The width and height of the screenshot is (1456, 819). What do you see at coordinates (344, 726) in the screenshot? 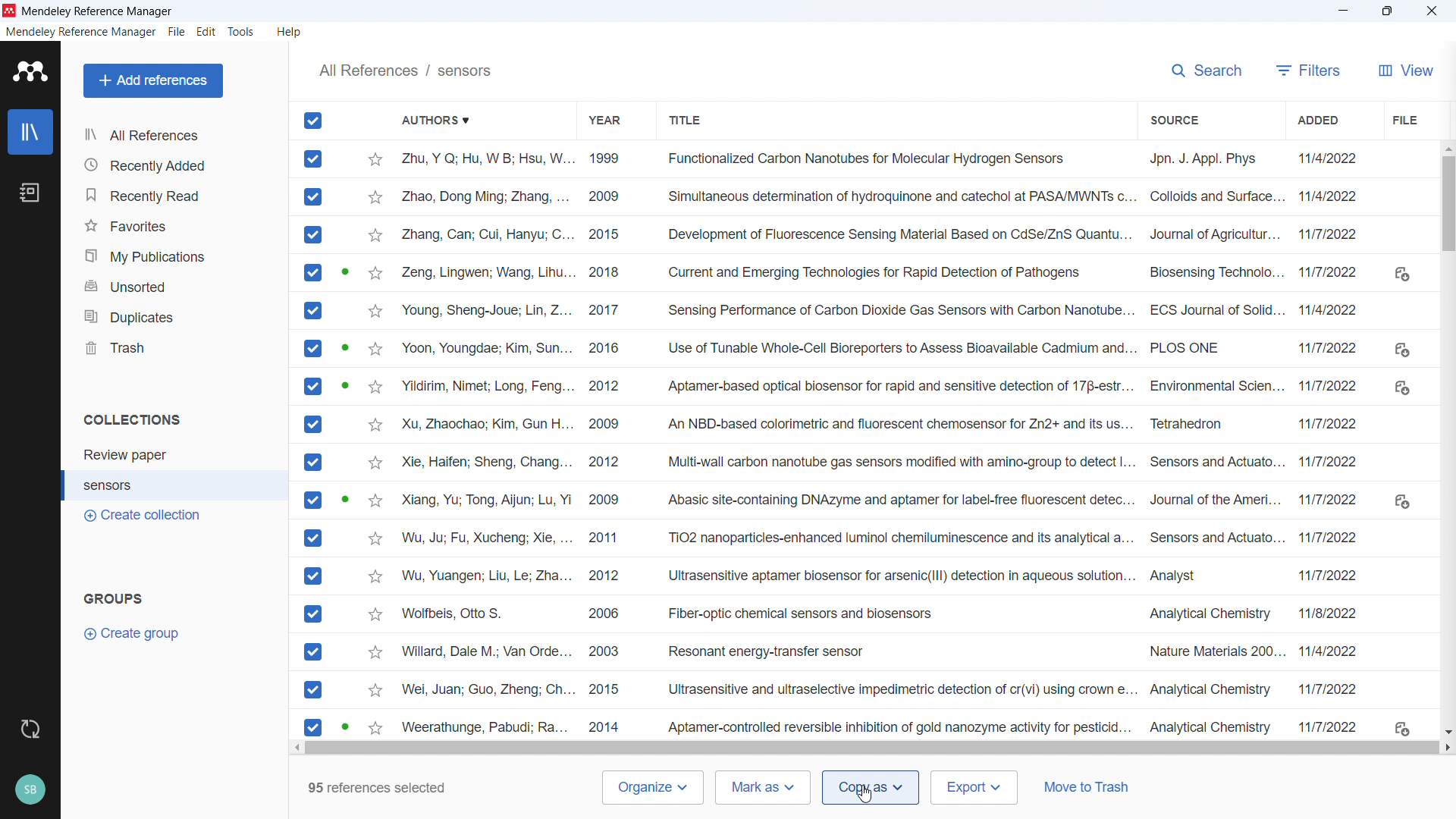
I see `PDF available` at bounding box center [344, 726].